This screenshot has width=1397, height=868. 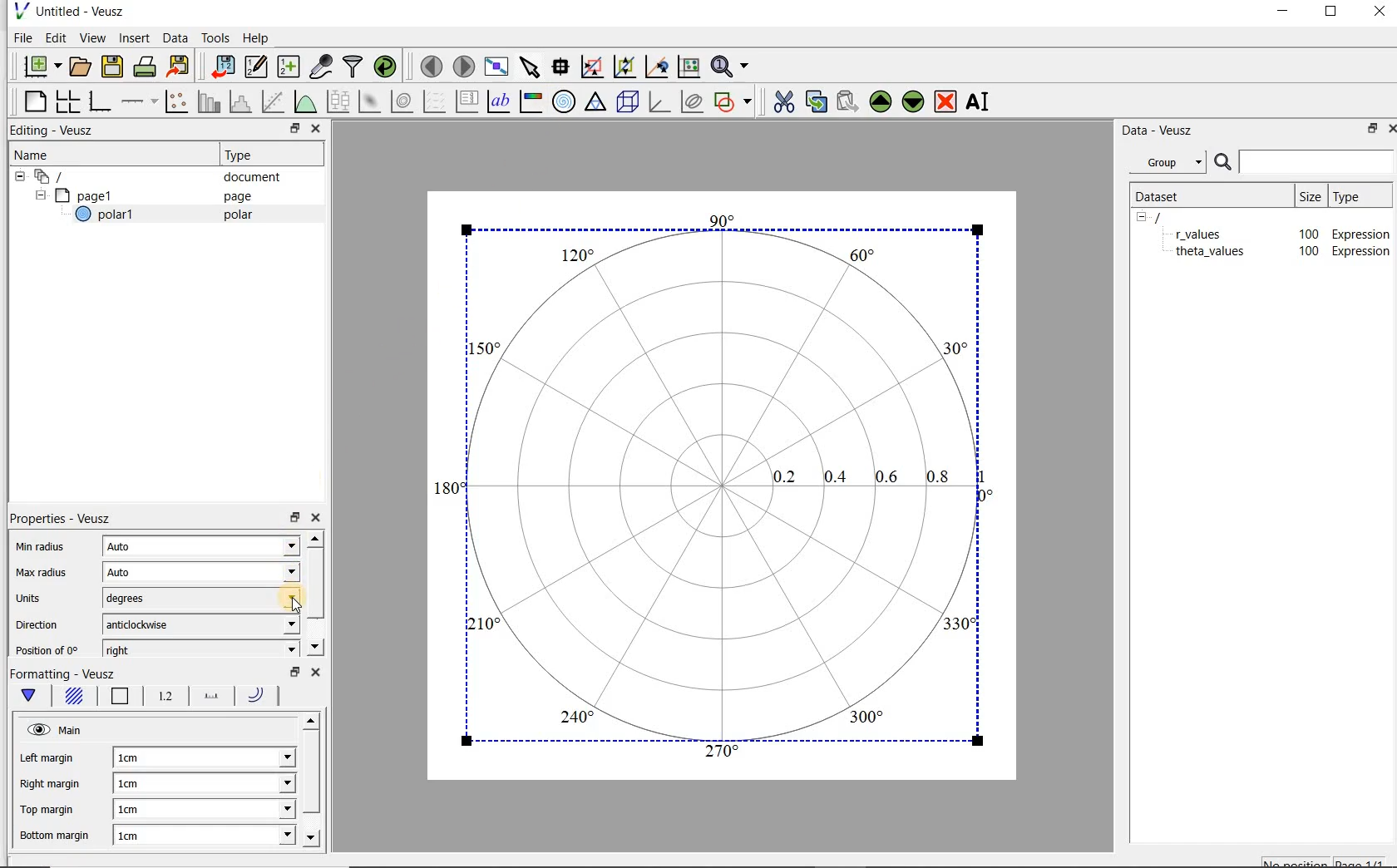 I want to click on base graph, so click(x=99, y=102).